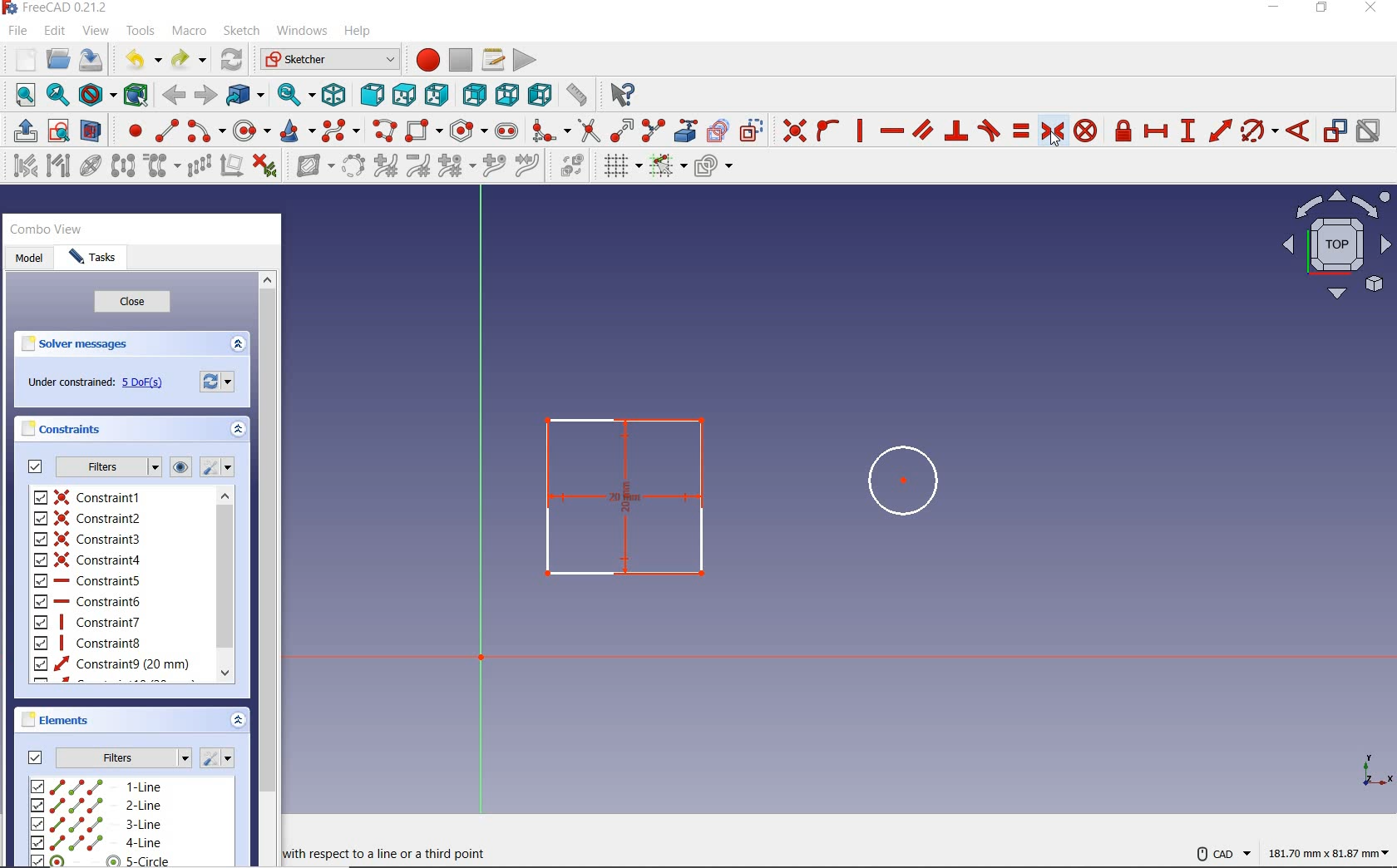 The width and height of the screenshot is (1397, 868). What do you see at coordinates (87, 601) in the screenshot?
I see `constraint6` at bounding box center [87, 601].